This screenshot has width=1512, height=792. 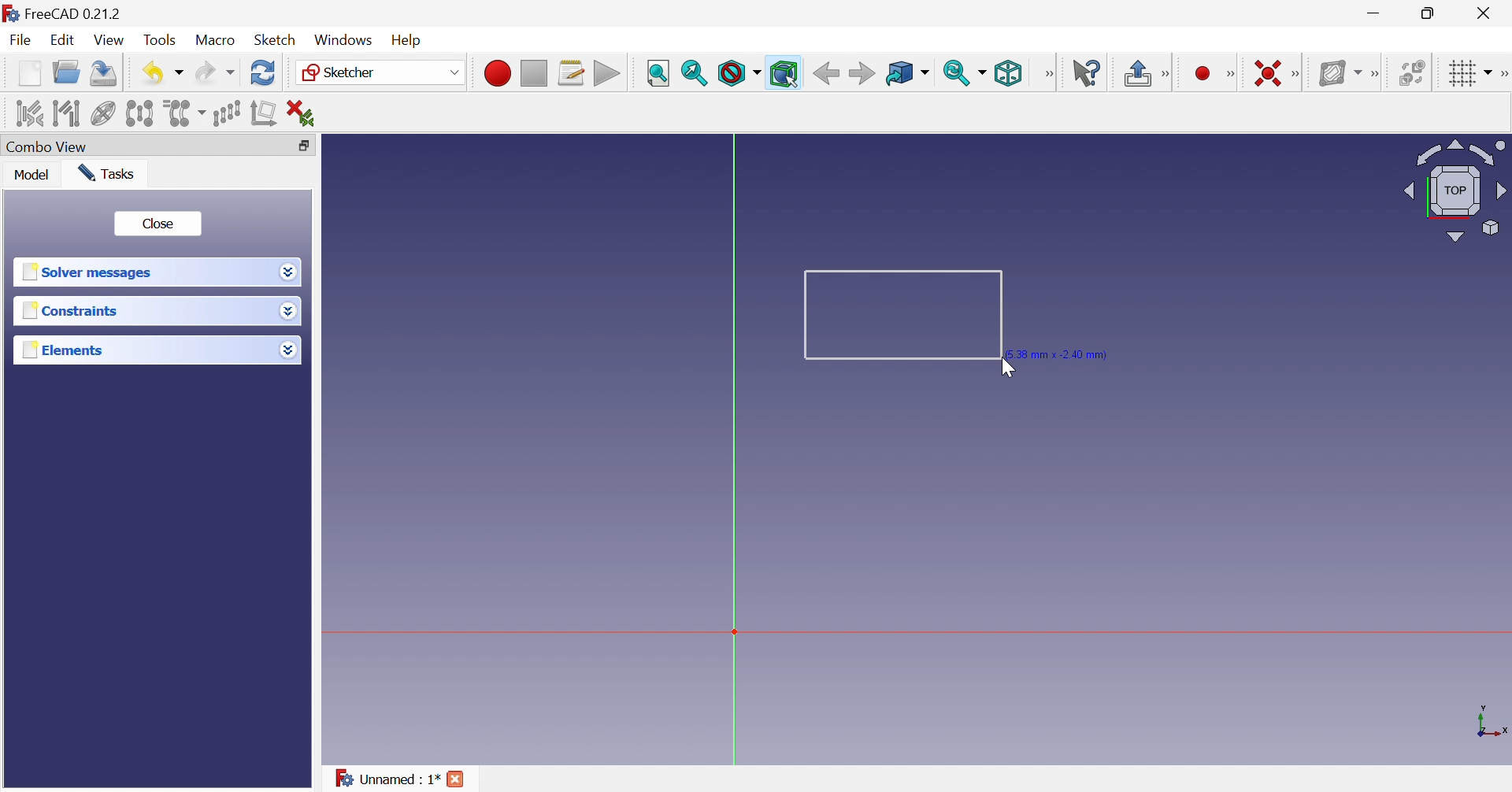 I want to click on Fit selection, so click(x=695, y=72).